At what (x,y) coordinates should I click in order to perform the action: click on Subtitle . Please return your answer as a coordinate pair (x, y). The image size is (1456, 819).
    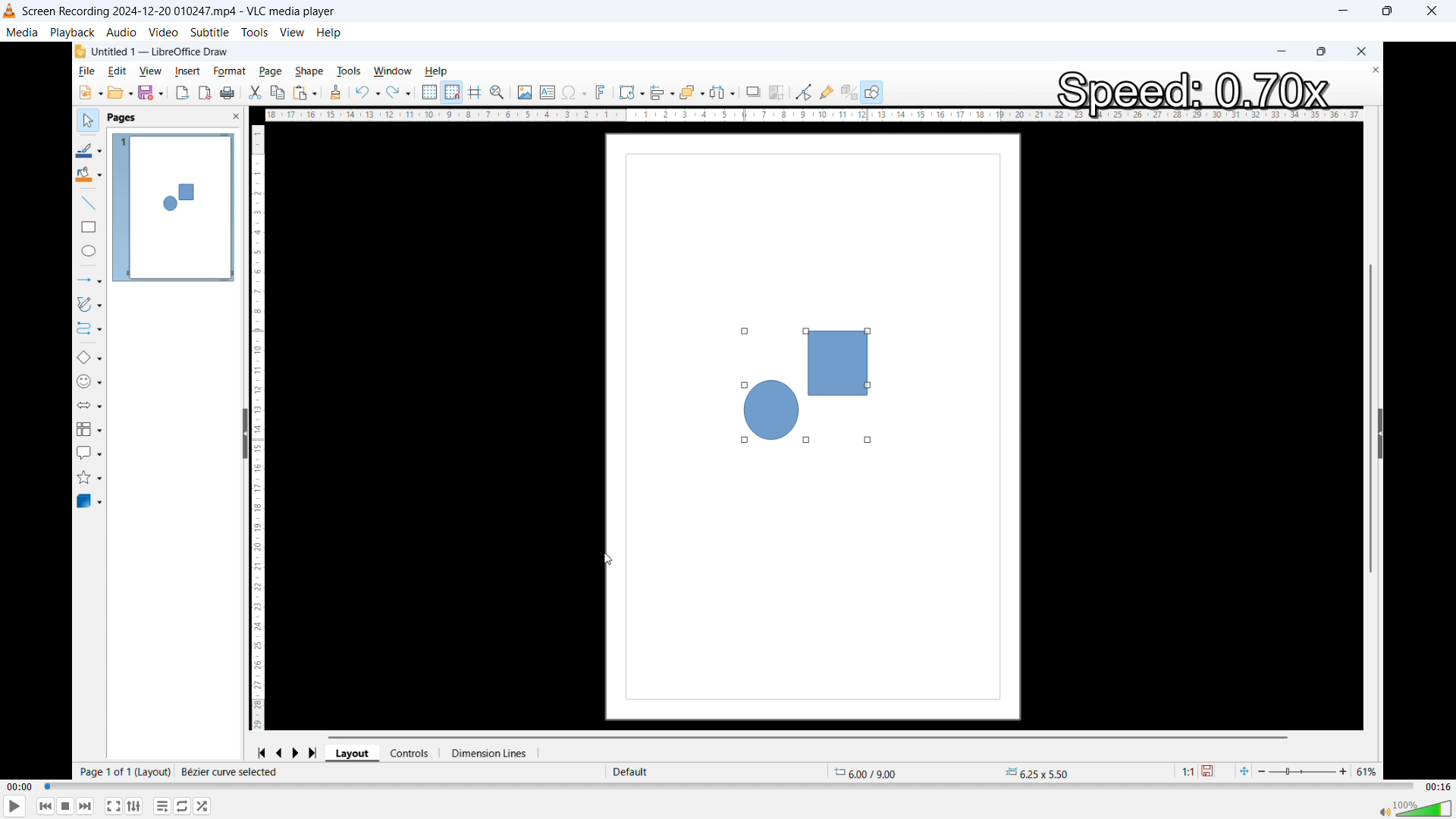
    Looking at the image, I should click on (209, 32).